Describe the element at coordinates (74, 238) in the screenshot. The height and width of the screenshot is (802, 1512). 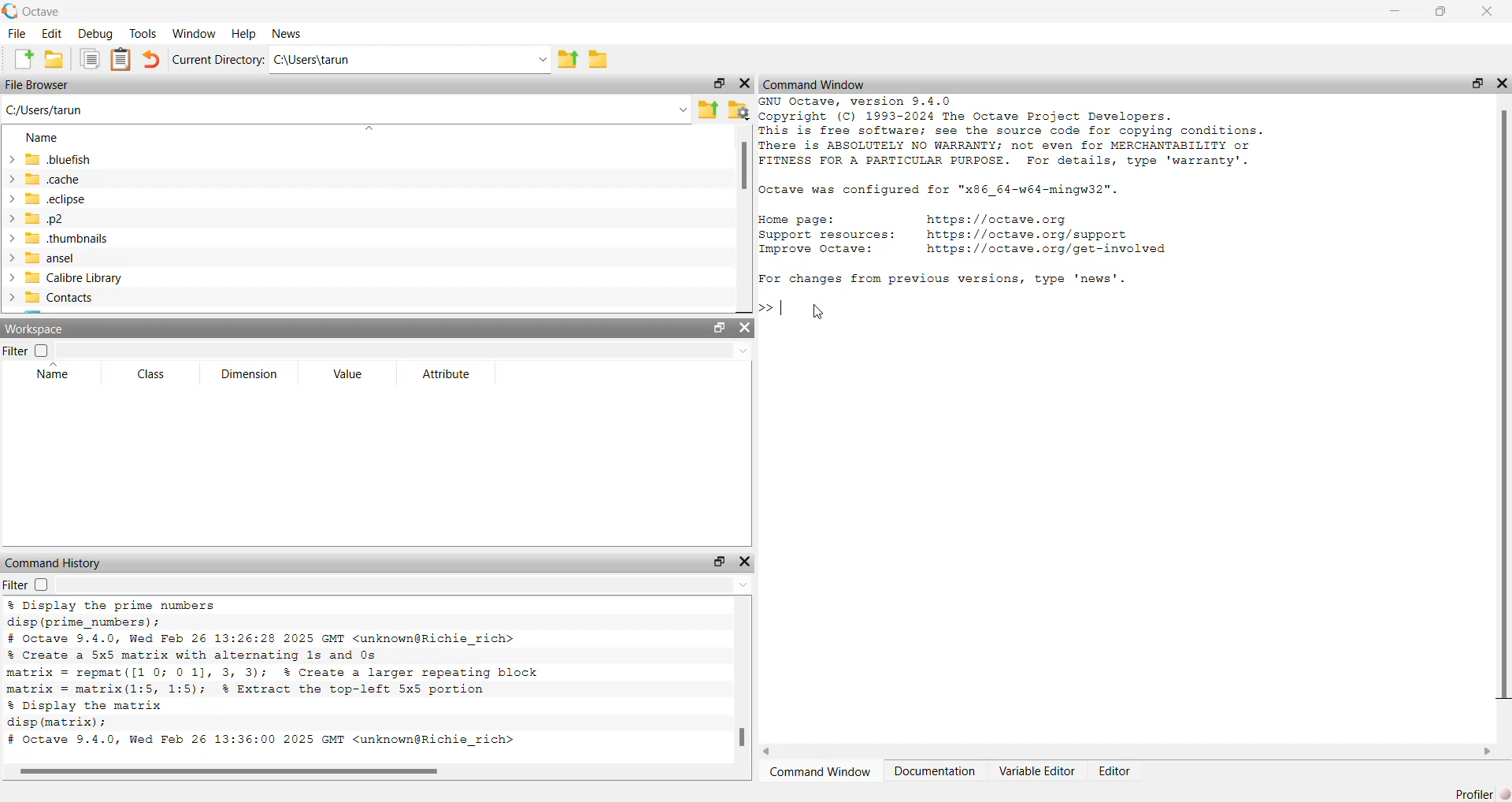
I see `.thumbnails` at that location.